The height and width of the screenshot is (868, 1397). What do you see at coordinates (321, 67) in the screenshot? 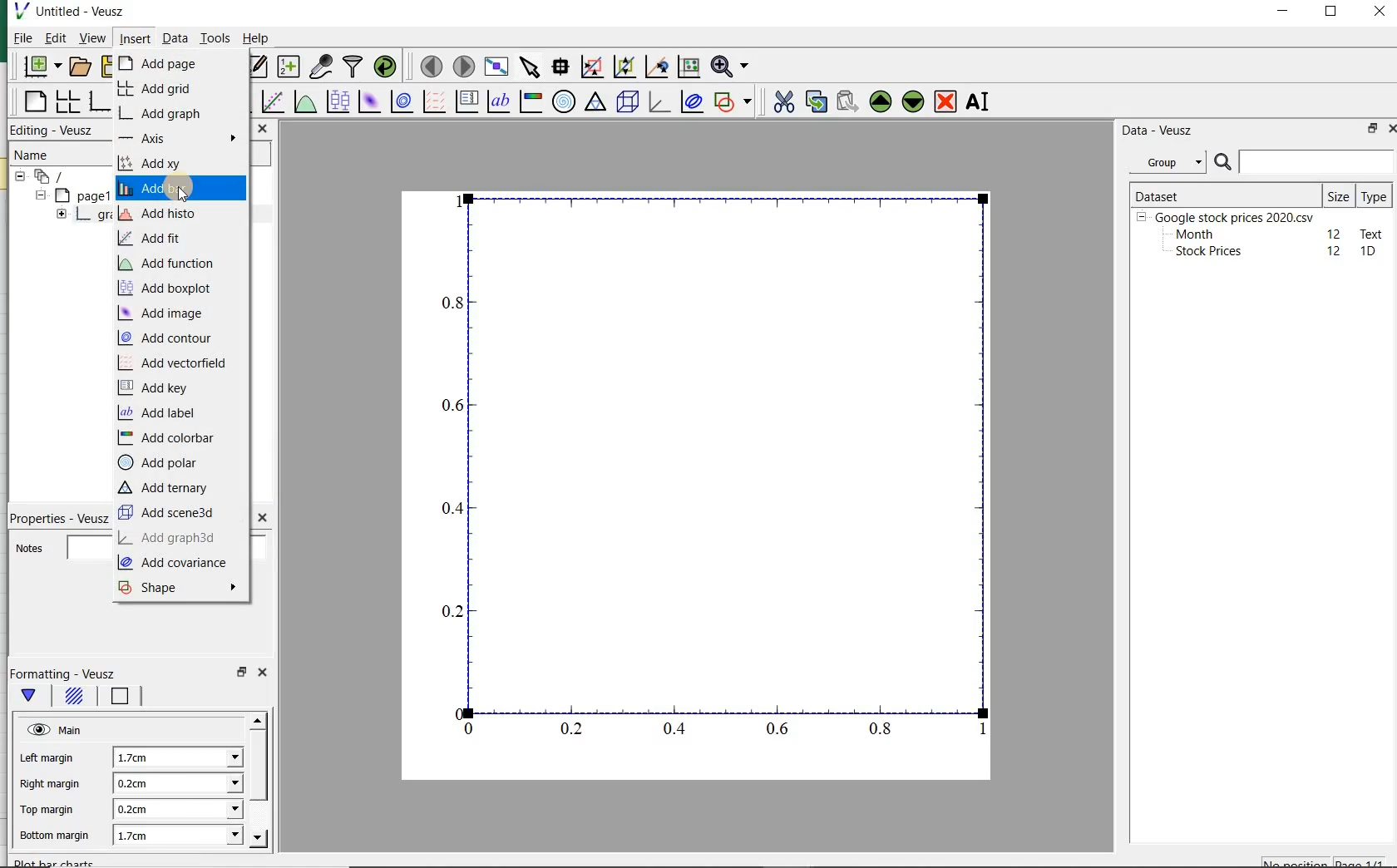
I see `capture remote data` at bounding box center [321, 67].